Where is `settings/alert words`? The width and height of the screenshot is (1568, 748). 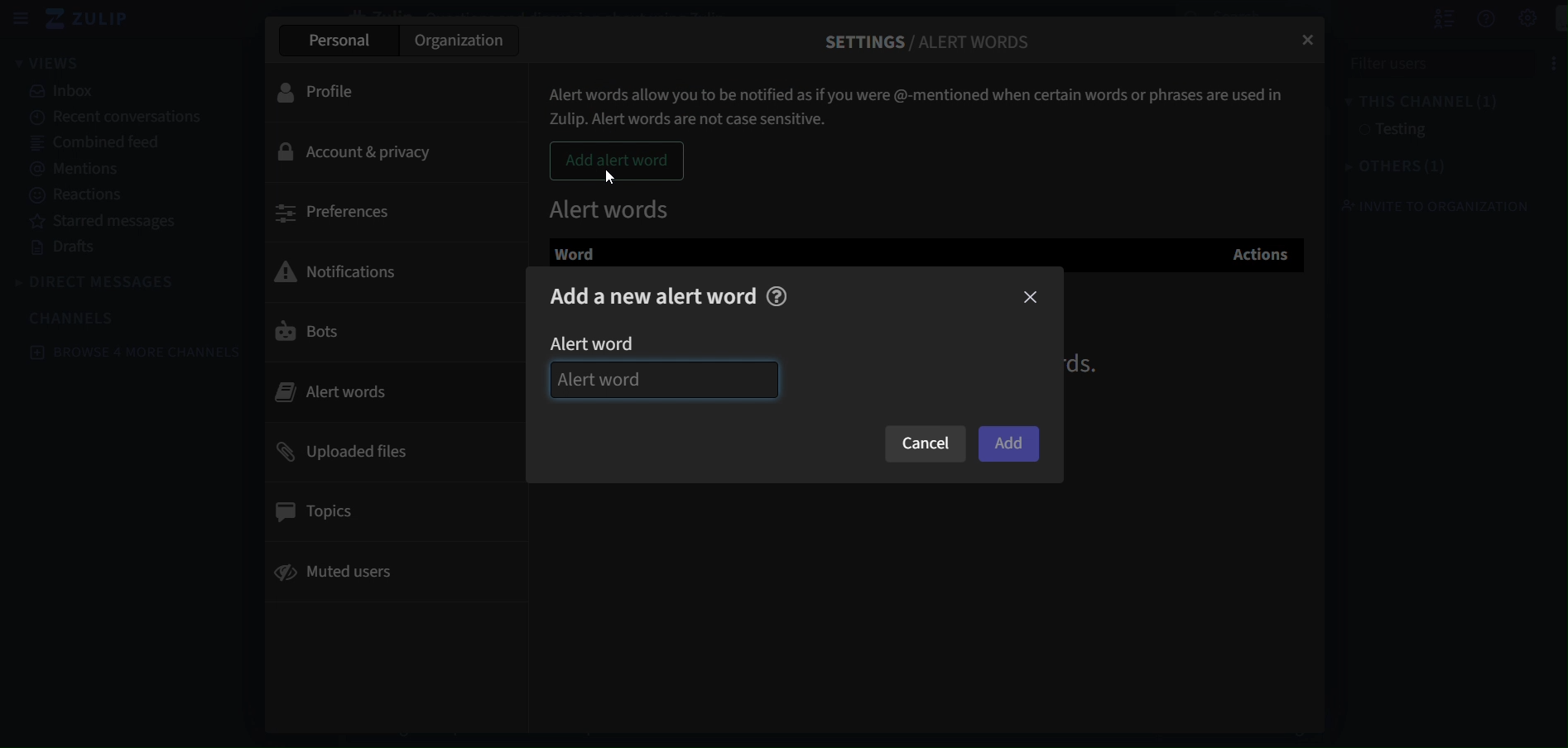
settings/alert words is located at coordinates (930, 36).